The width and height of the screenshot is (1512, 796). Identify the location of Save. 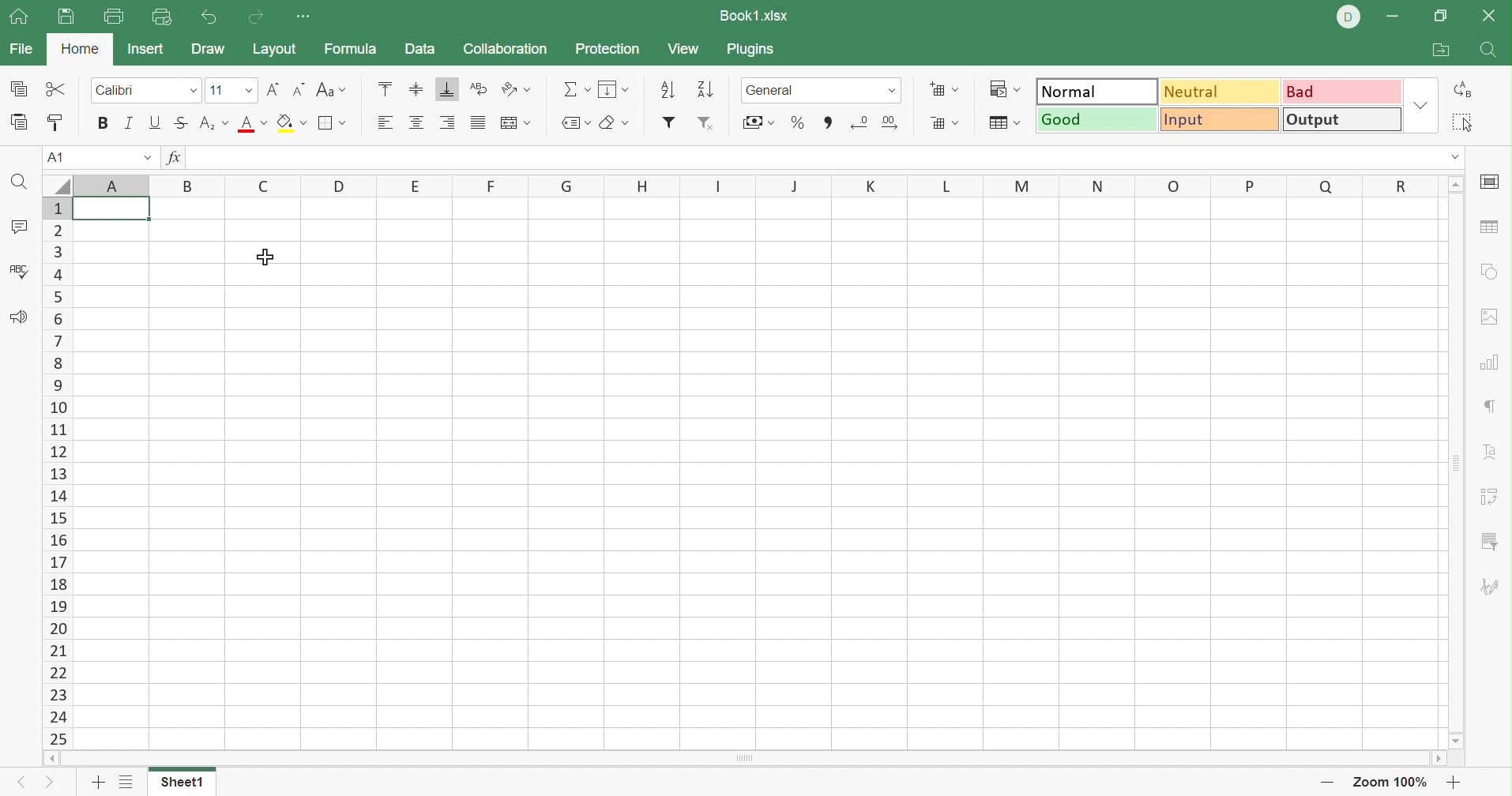
(66, 17).